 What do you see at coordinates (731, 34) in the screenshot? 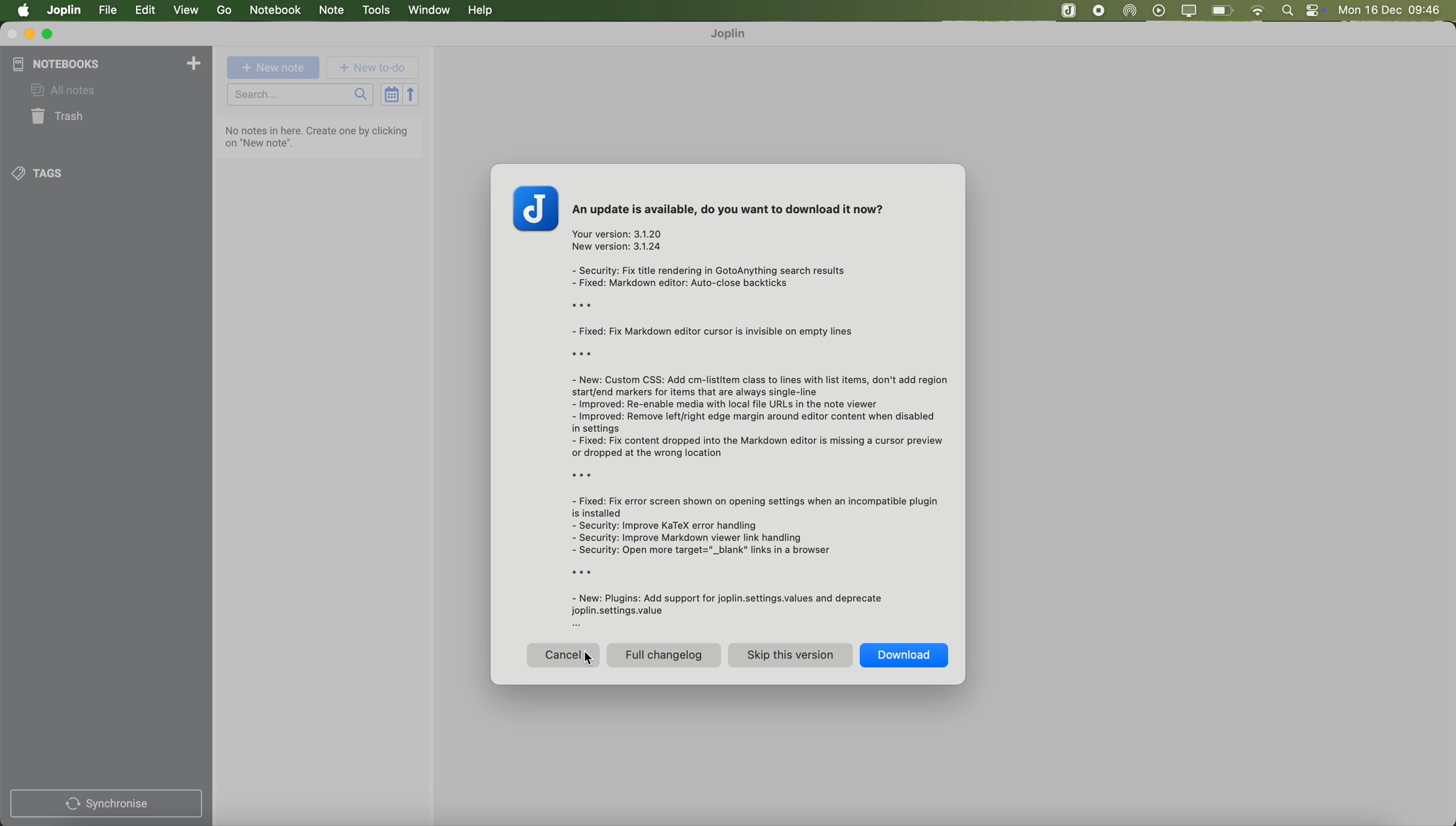
I see `Joplin` at bounding box center [731, 34].